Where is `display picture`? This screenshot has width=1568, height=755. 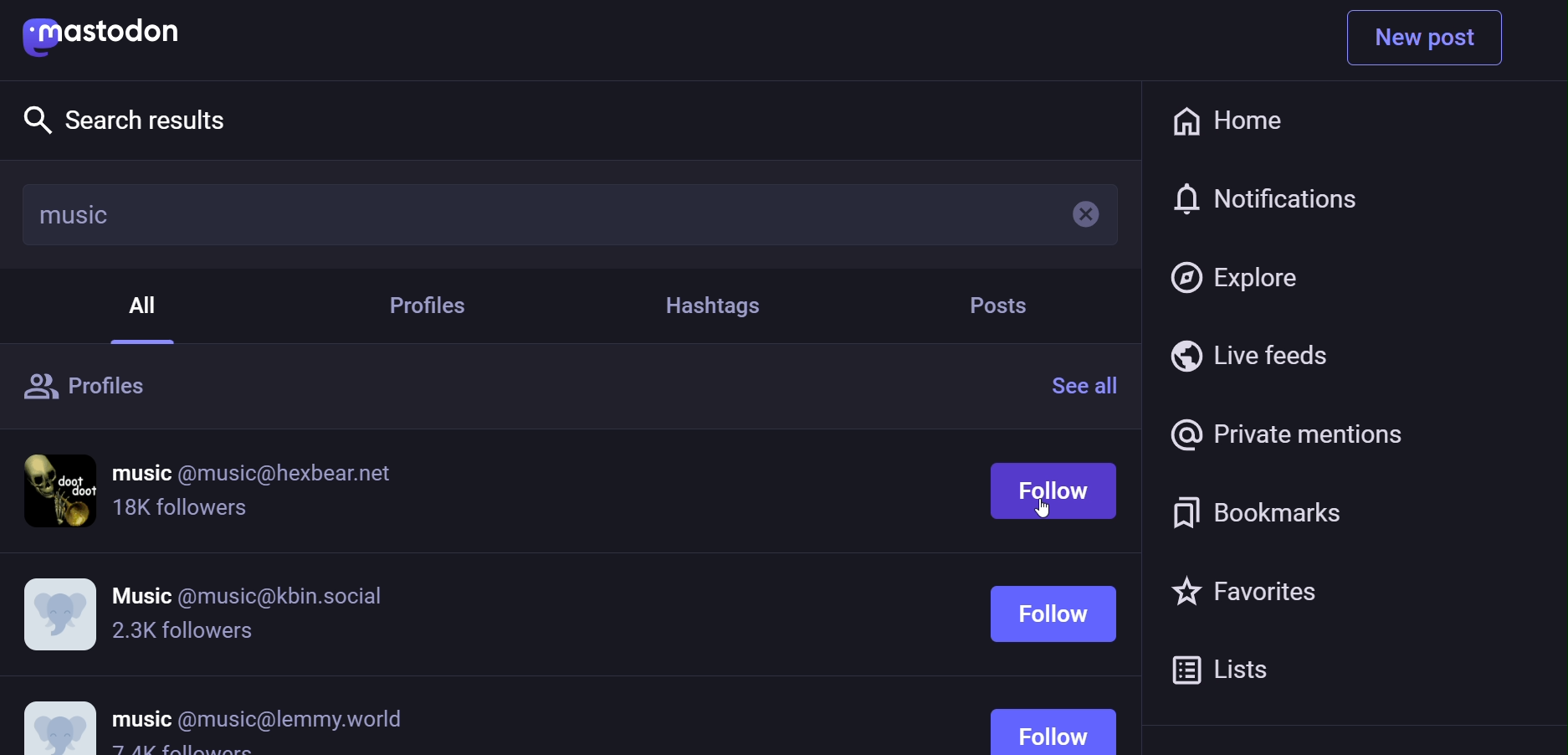 display picture is located at coordinates (63, 489).